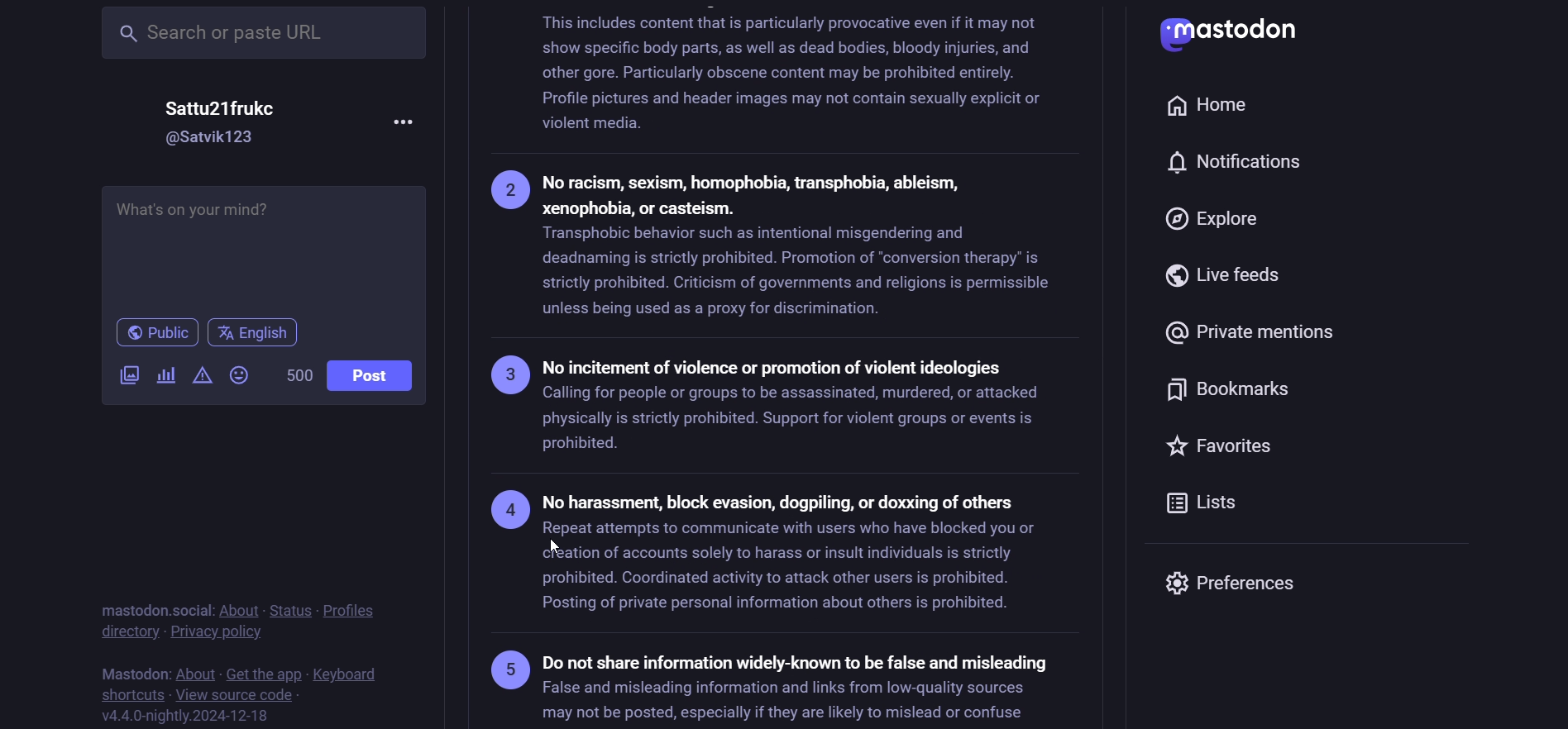 The image size is (1568, 729). Describe the element at coordinates (201, 375) in the screenshot. I see `content warning` at that location.